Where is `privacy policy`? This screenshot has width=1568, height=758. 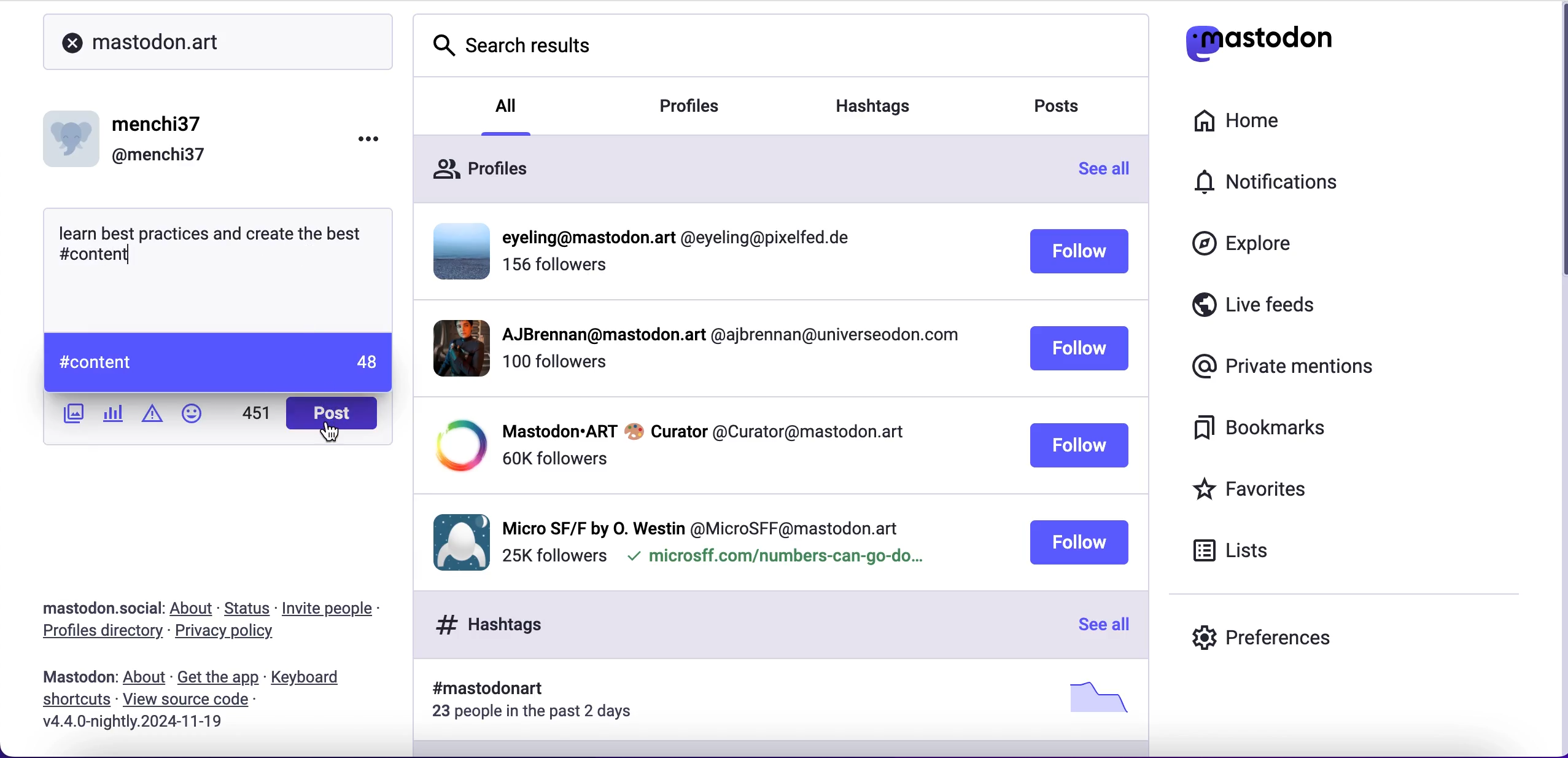 privacy policy is located at coordinates (230, 634).